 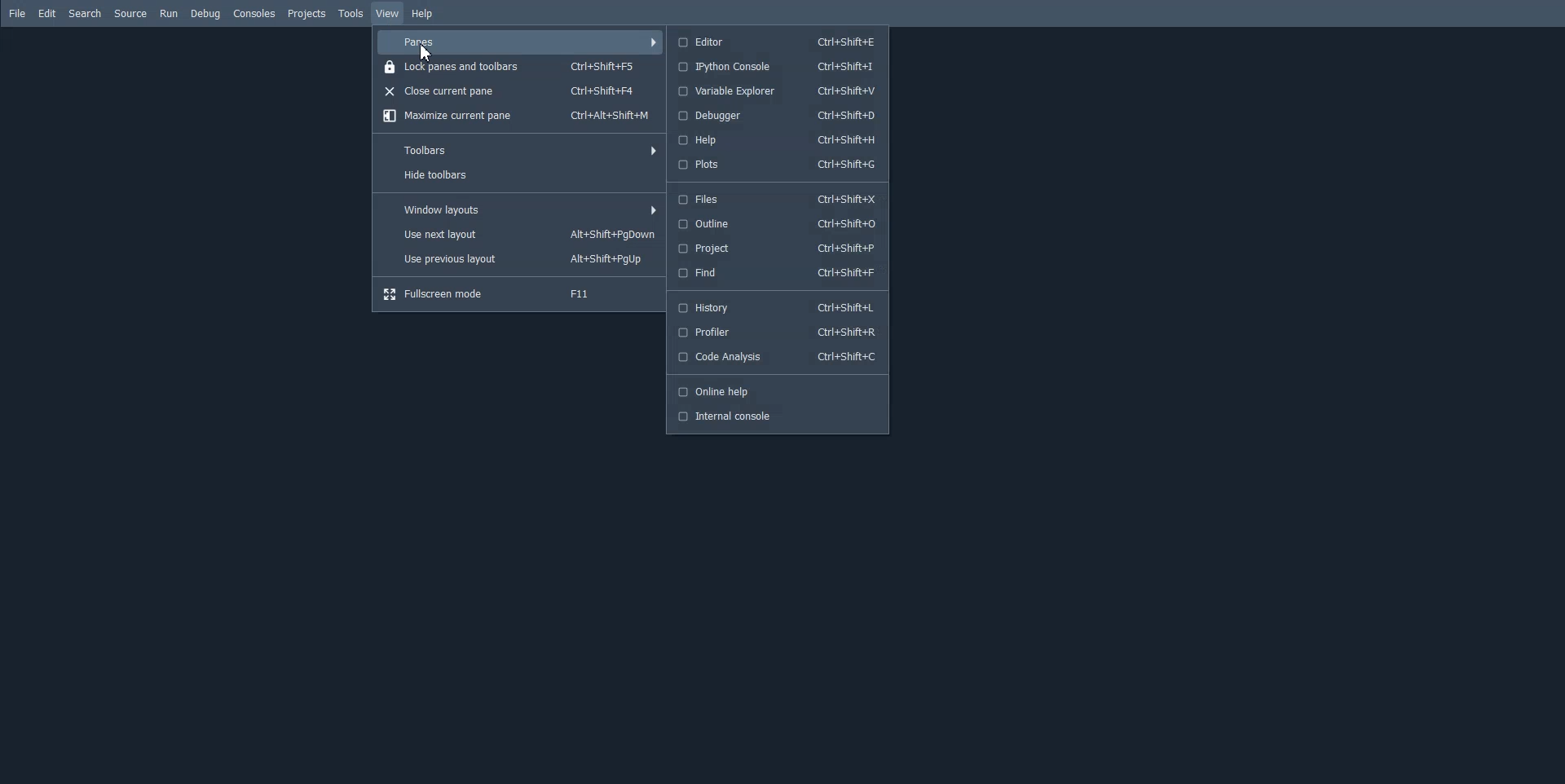 I want to click on Help, so click(x=775, y=139).